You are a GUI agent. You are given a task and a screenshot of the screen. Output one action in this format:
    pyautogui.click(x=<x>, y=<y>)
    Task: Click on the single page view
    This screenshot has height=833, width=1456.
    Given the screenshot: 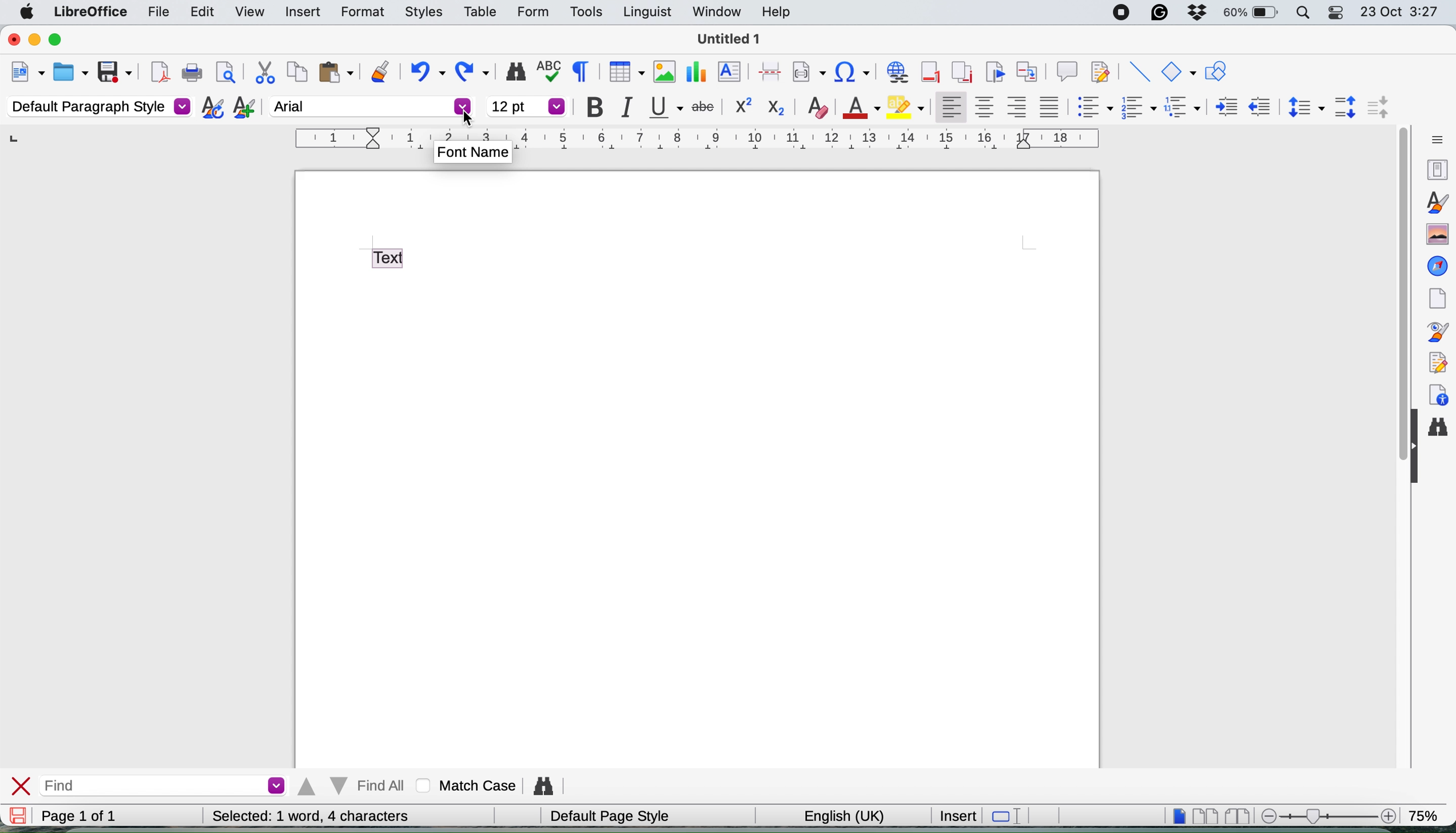 What is the action you would take?
    pyautogui.click(x=1173, y=815)
    